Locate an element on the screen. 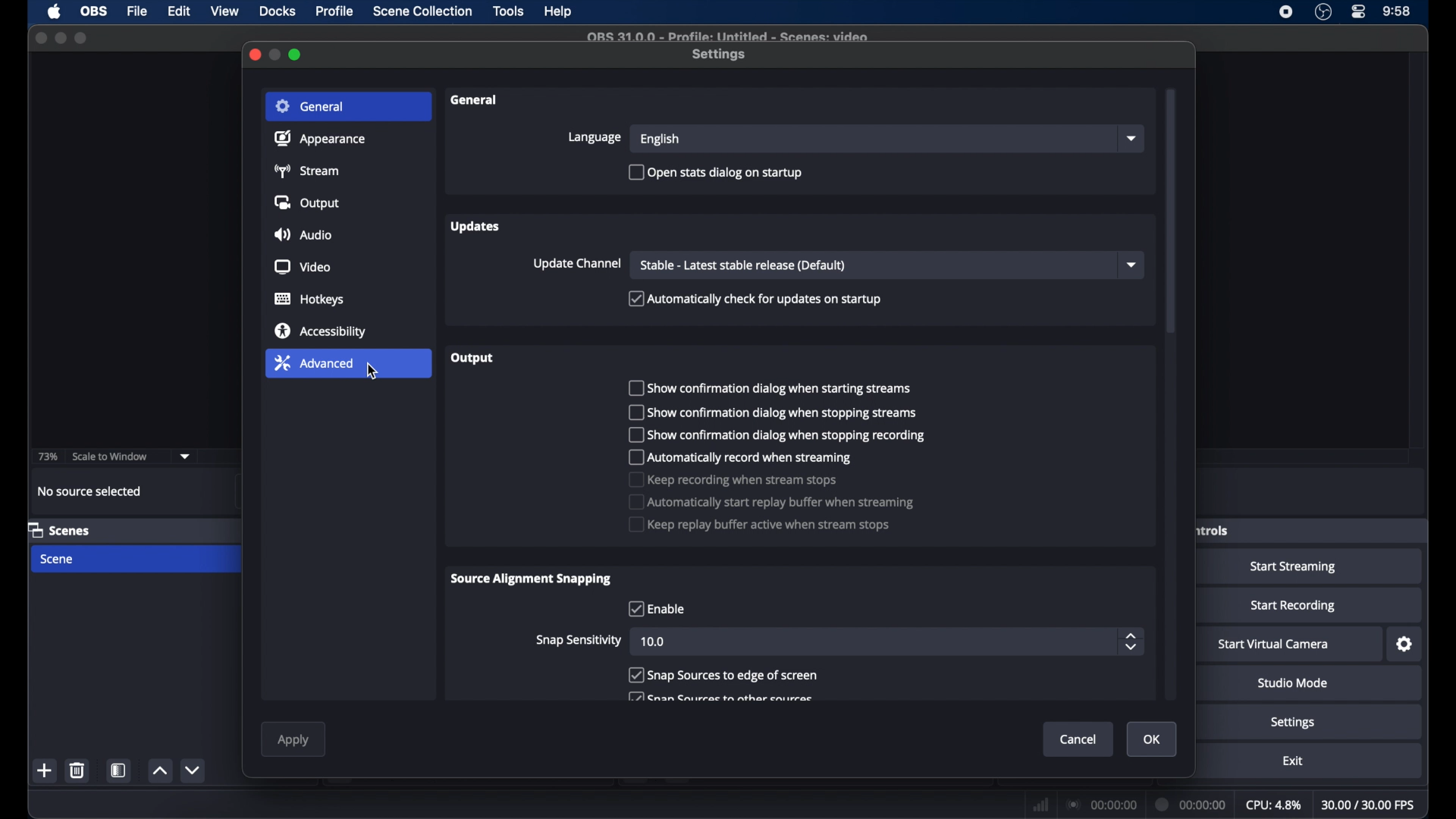 The image size is (1456, 819). obs studio is located at coordinates (1323, 12).